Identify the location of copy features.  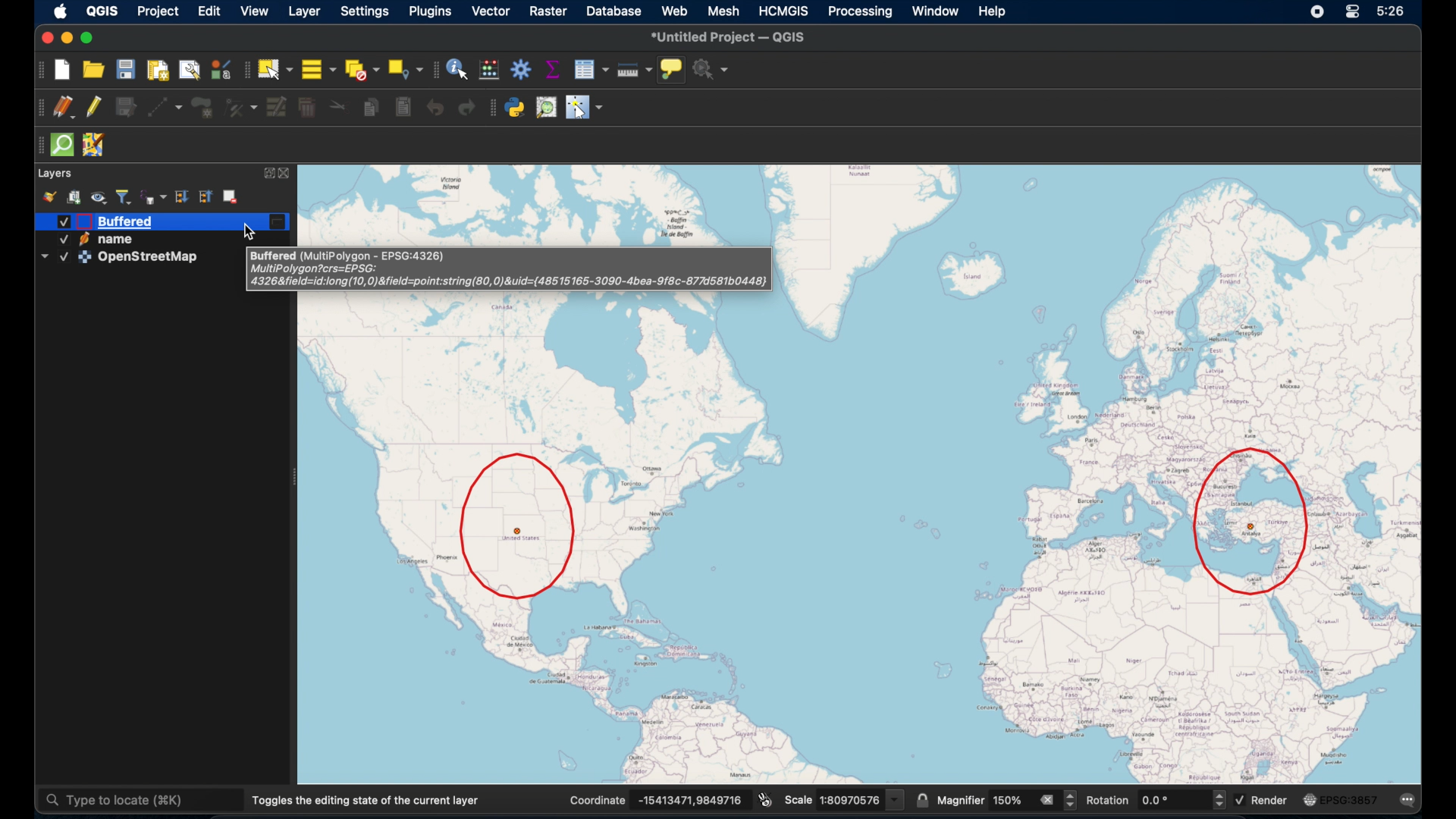
(371, 109).